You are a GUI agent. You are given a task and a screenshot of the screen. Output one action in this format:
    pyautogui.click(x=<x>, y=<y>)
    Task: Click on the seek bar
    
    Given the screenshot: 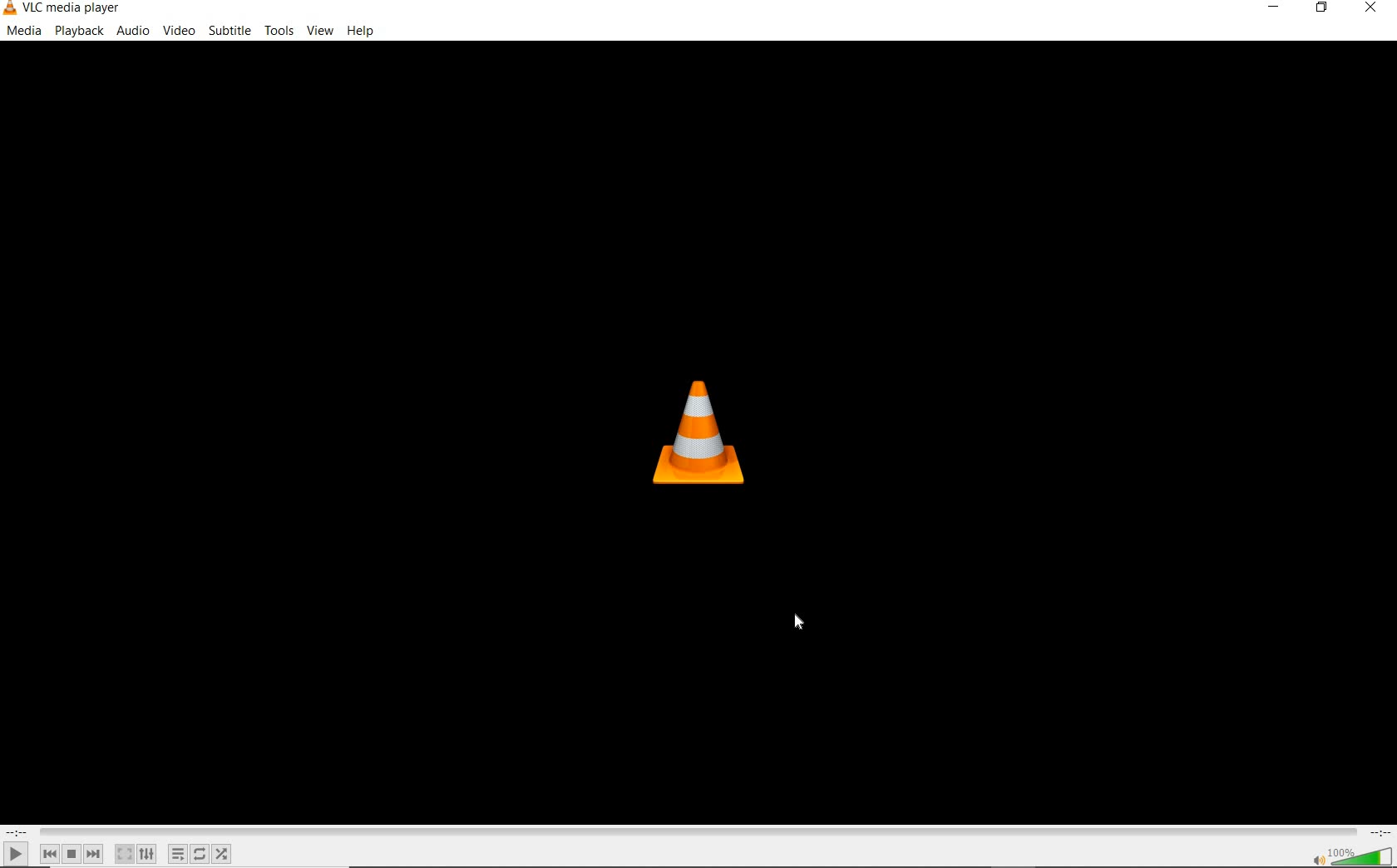 What is the action you would take?
    pyautogui.click(x=696, y=832)
    